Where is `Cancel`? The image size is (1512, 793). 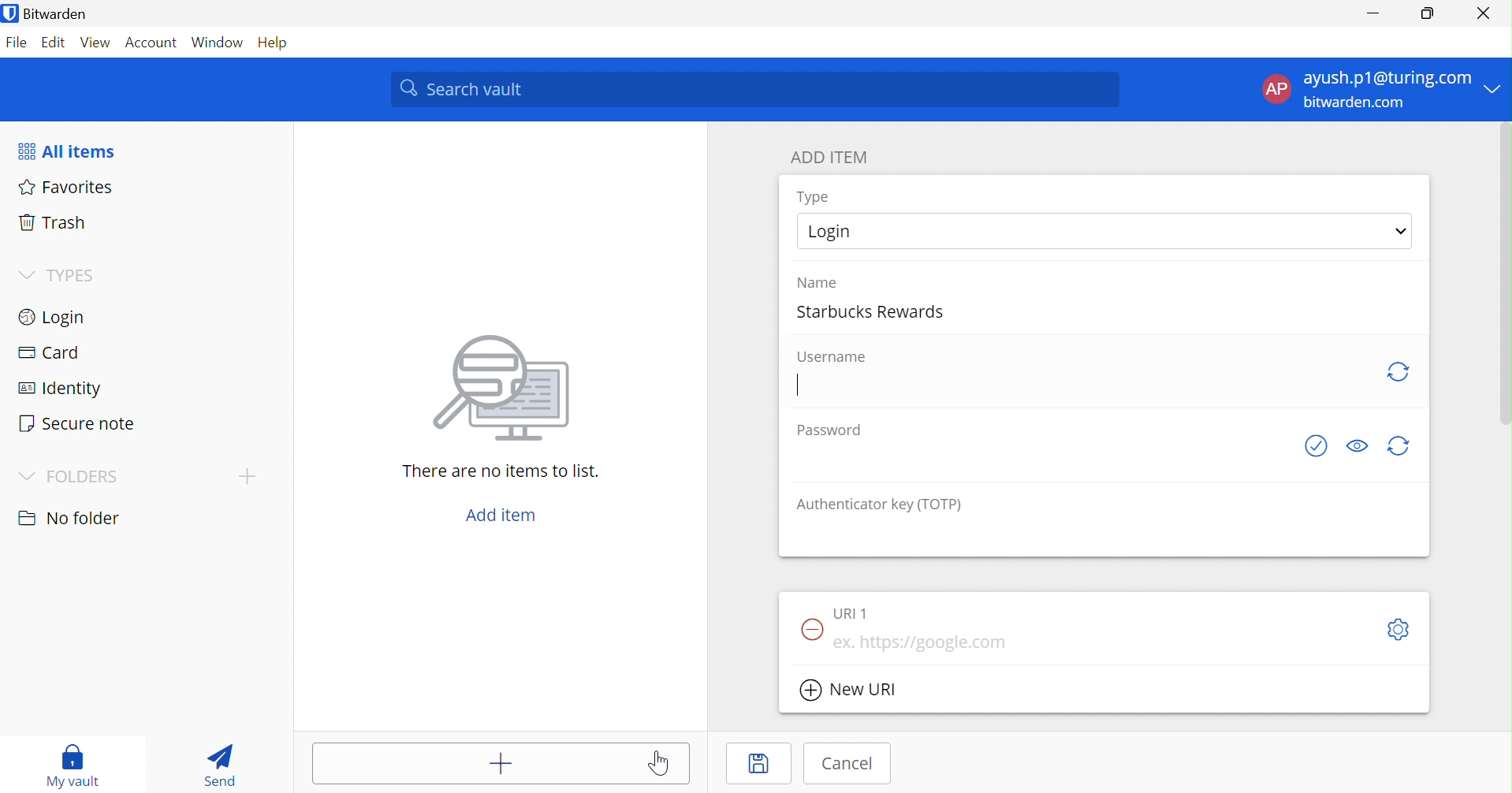
Cancel is located at coordinates (851, 764).